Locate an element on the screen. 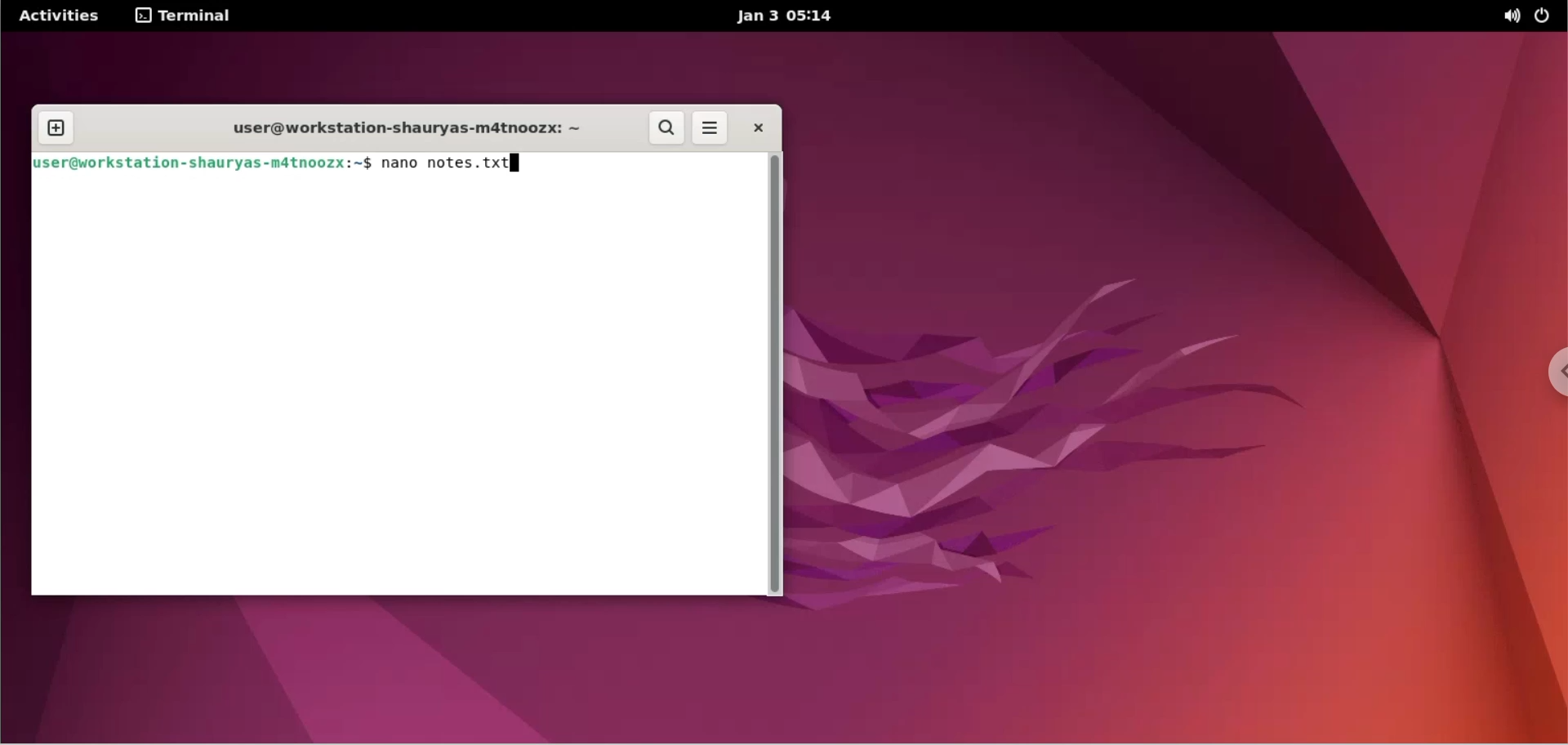 The image size is (1568, 745). jan 3 05:14 is located at coordinates (785, 17).